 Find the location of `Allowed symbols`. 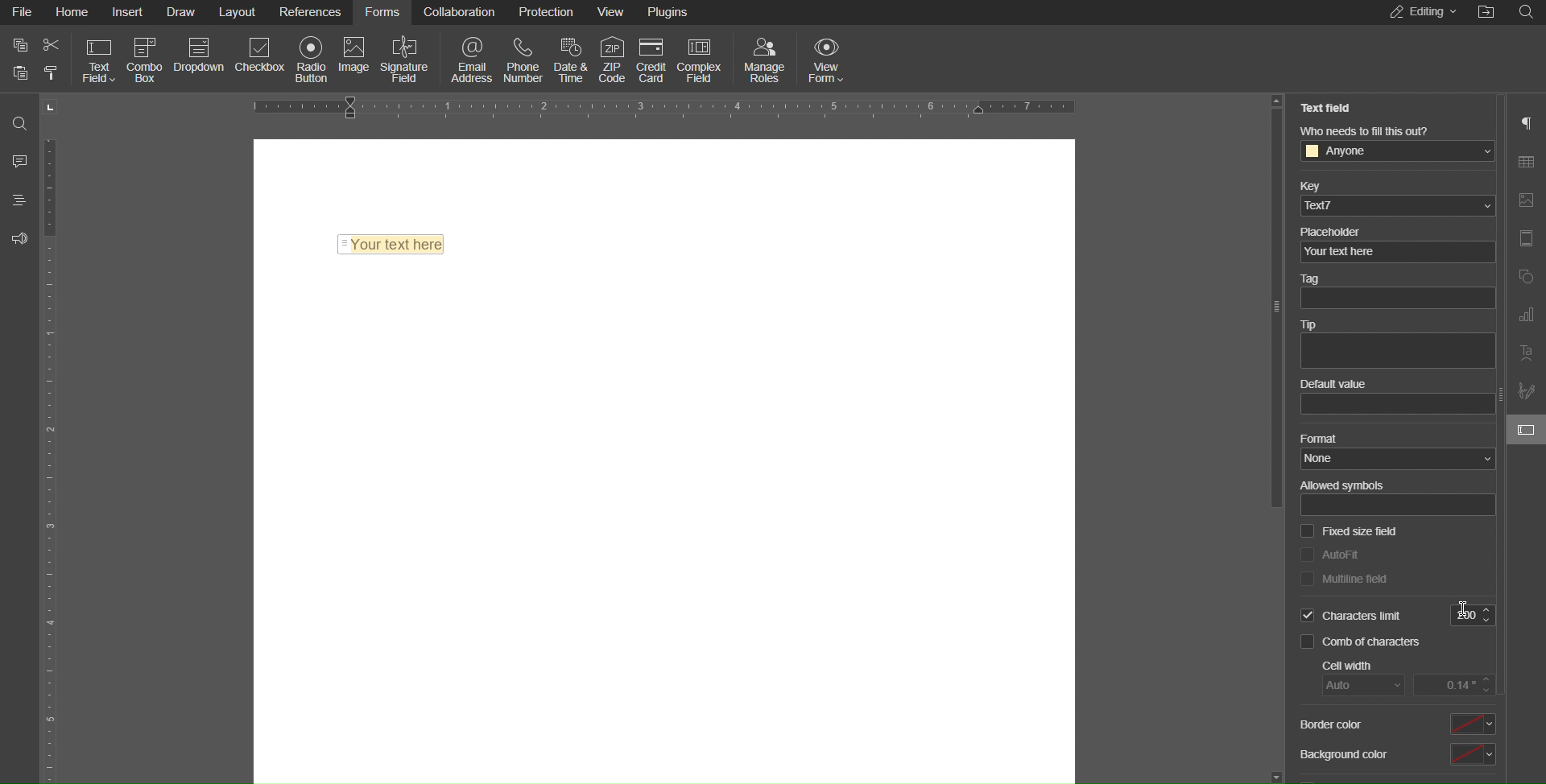

Allowed symbols is located at coordinates (1396, 498).